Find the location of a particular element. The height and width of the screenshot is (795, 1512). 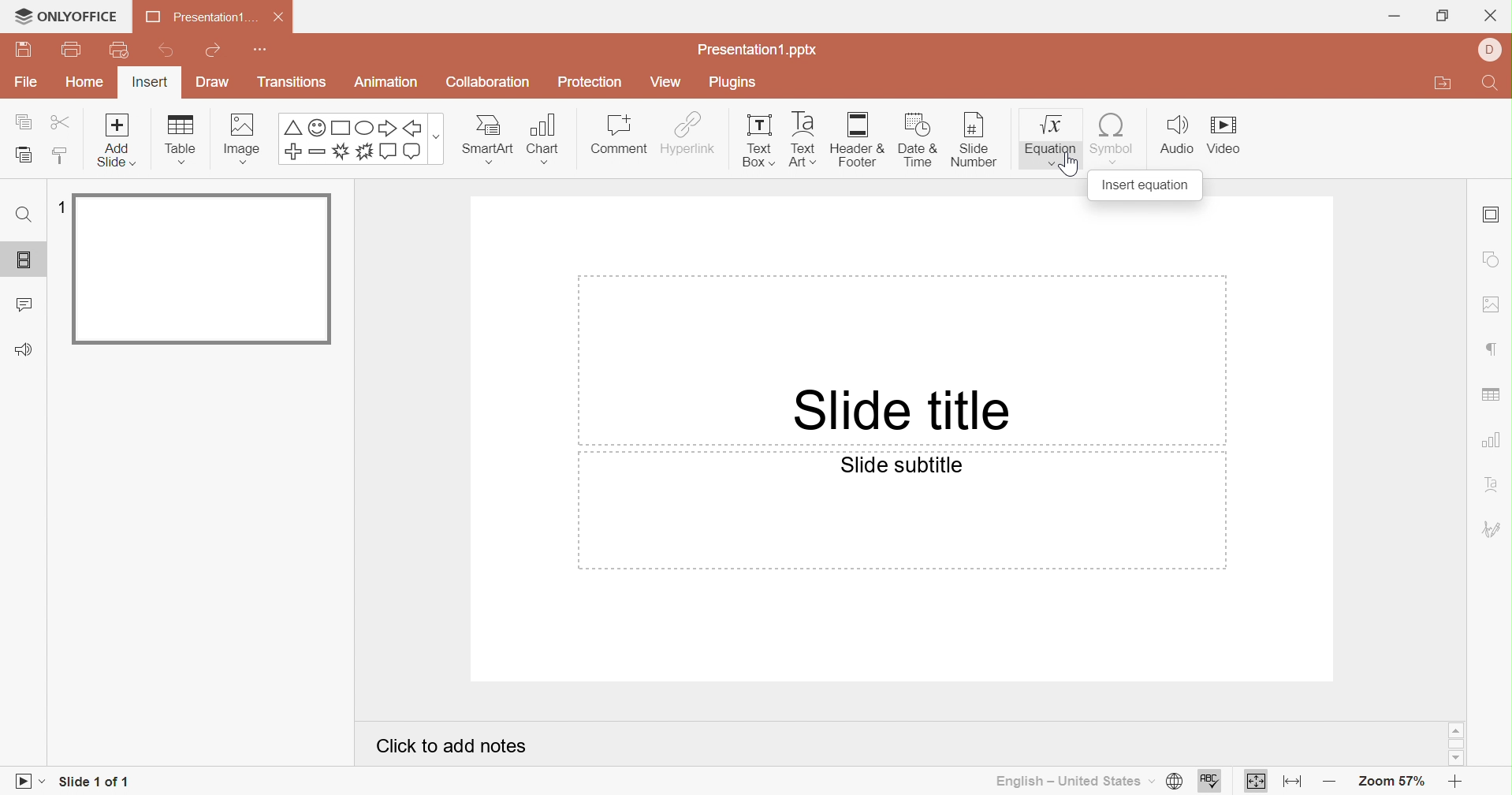

Paste is located at coordinates (23, 154).